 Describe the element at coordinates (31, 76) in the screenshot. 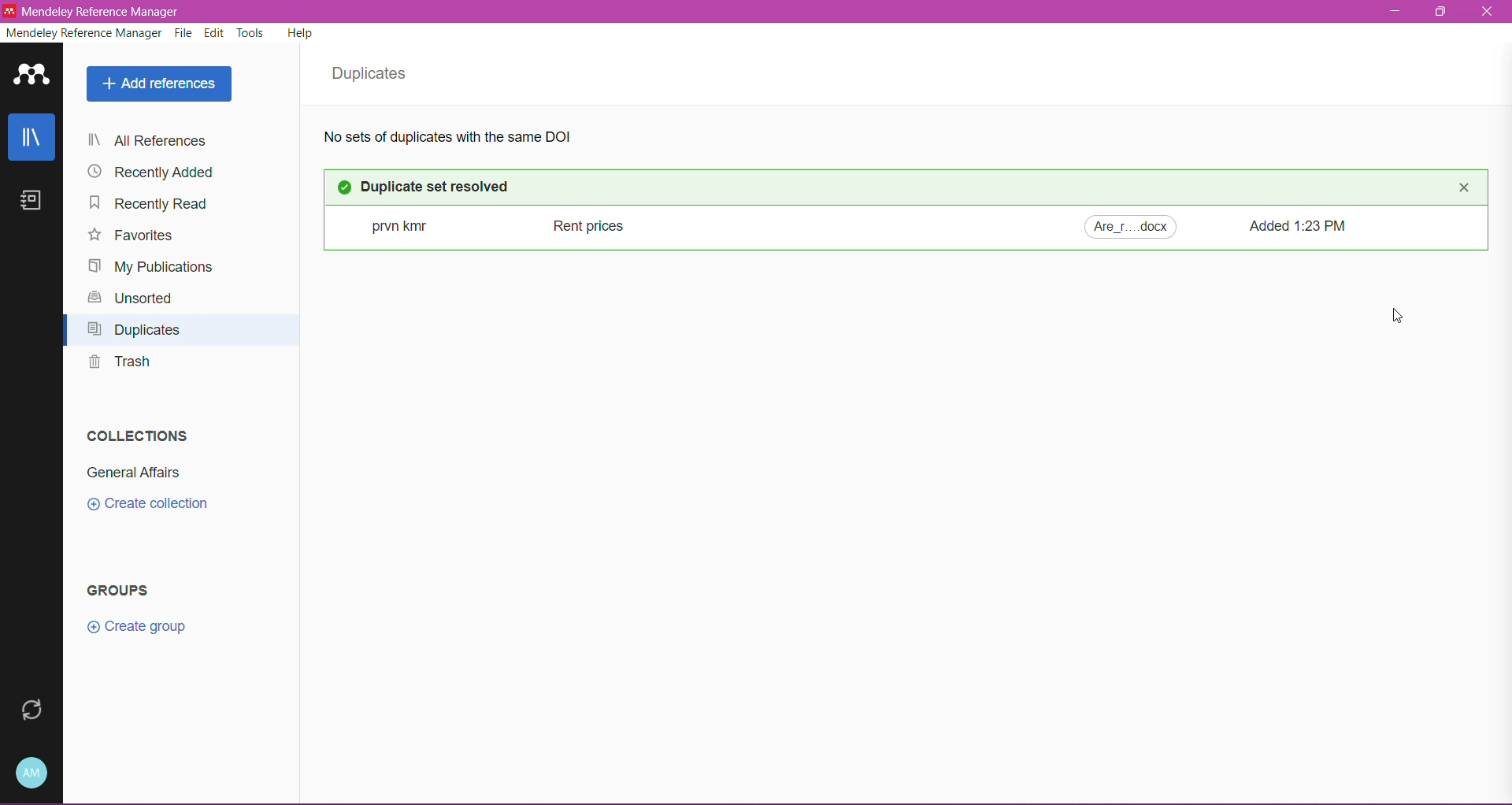

I see `Application Logo` at that location.